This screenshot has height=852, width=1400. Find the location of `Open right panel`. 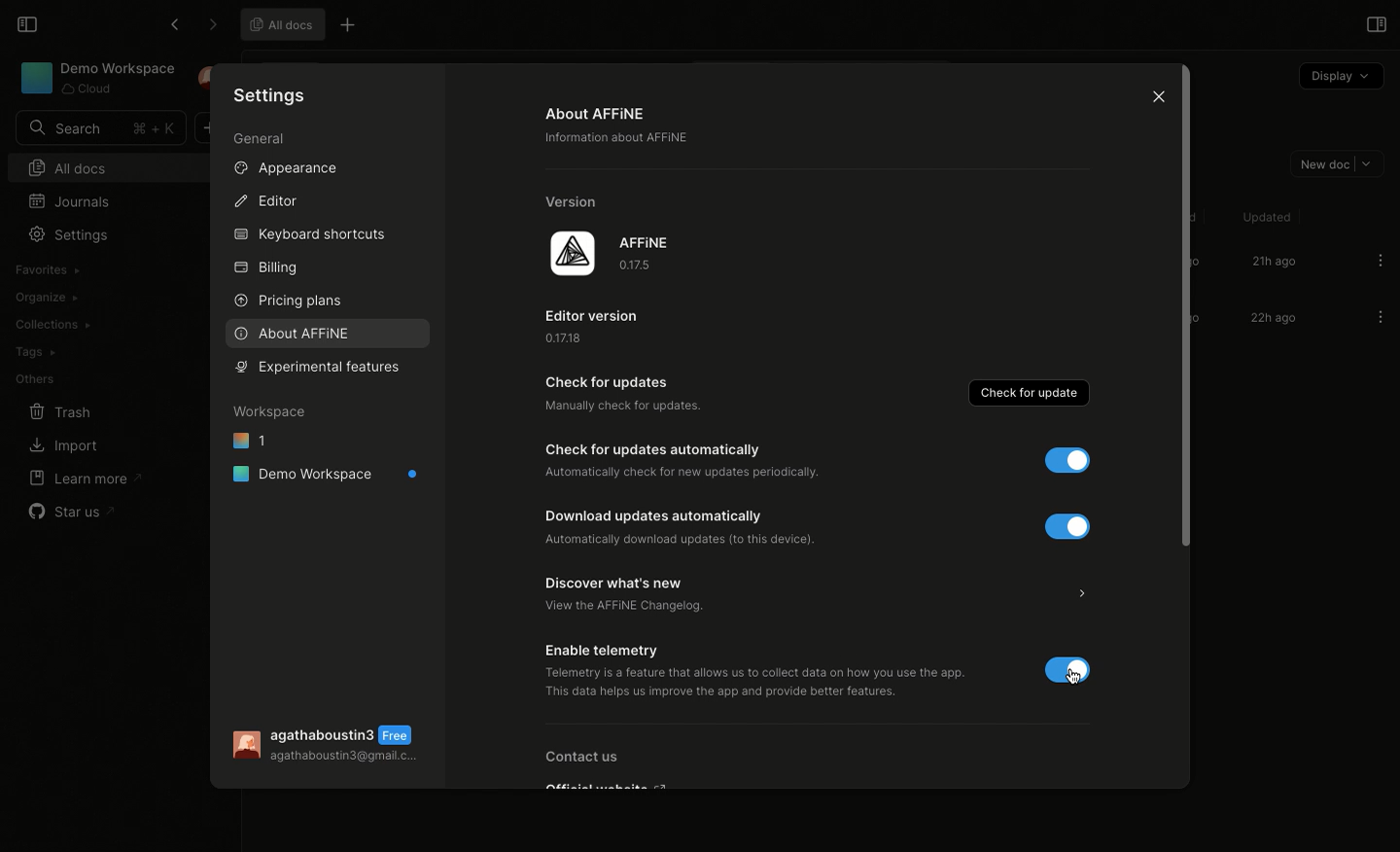

Open right panel is located at coordinates (1374, 23).